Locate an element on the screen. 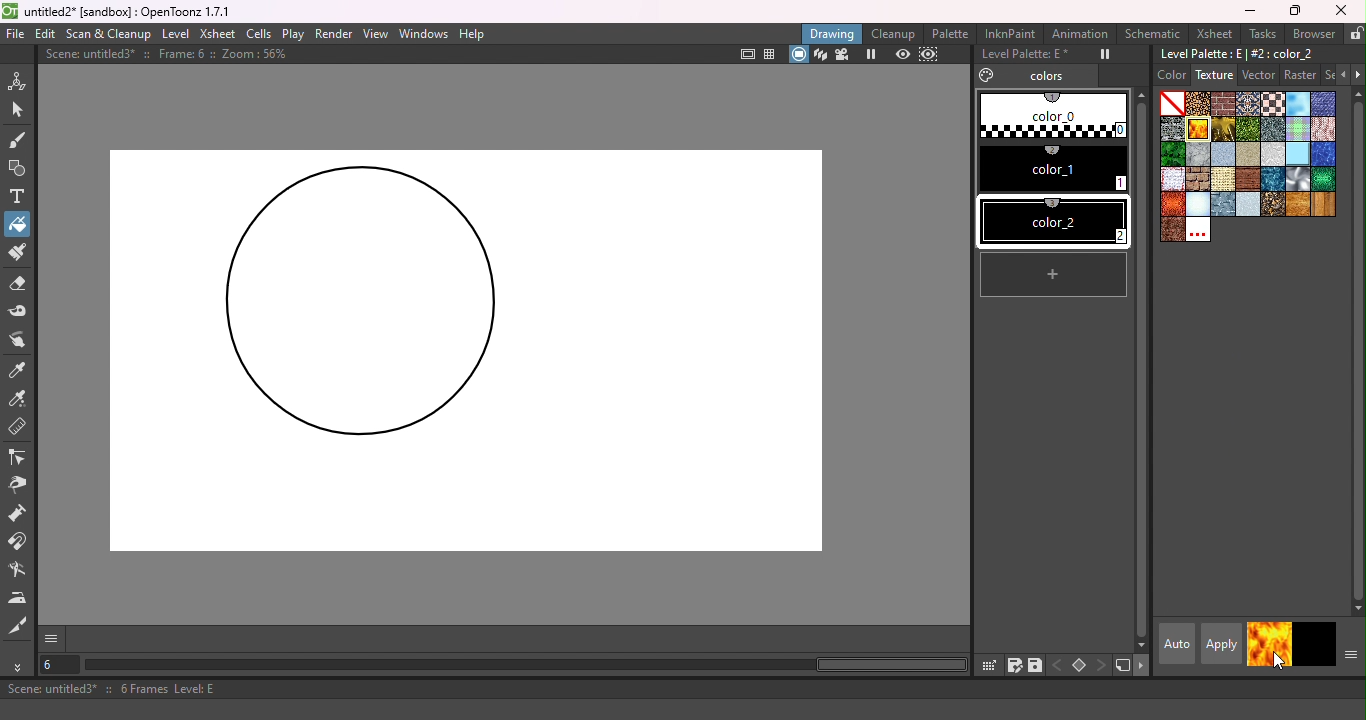 The width and height of the screenshot is (1366, 720). Safe area is located at coordinates (748, 55).